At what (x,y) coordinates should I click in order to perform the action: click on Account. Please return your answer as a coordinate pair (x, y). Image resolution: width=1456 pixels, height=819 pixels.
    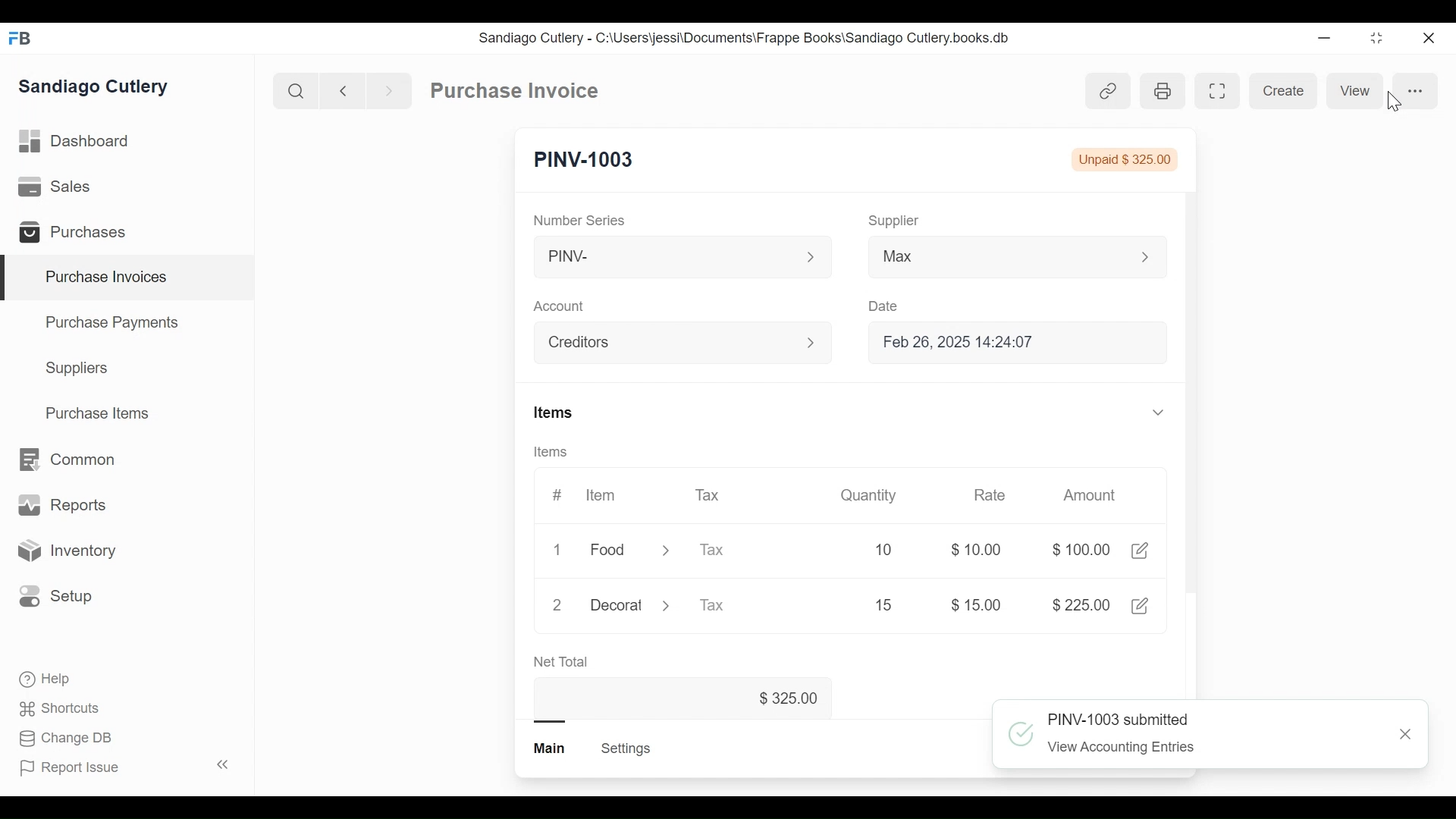
    Looking at the image, I should click on (562, 308).